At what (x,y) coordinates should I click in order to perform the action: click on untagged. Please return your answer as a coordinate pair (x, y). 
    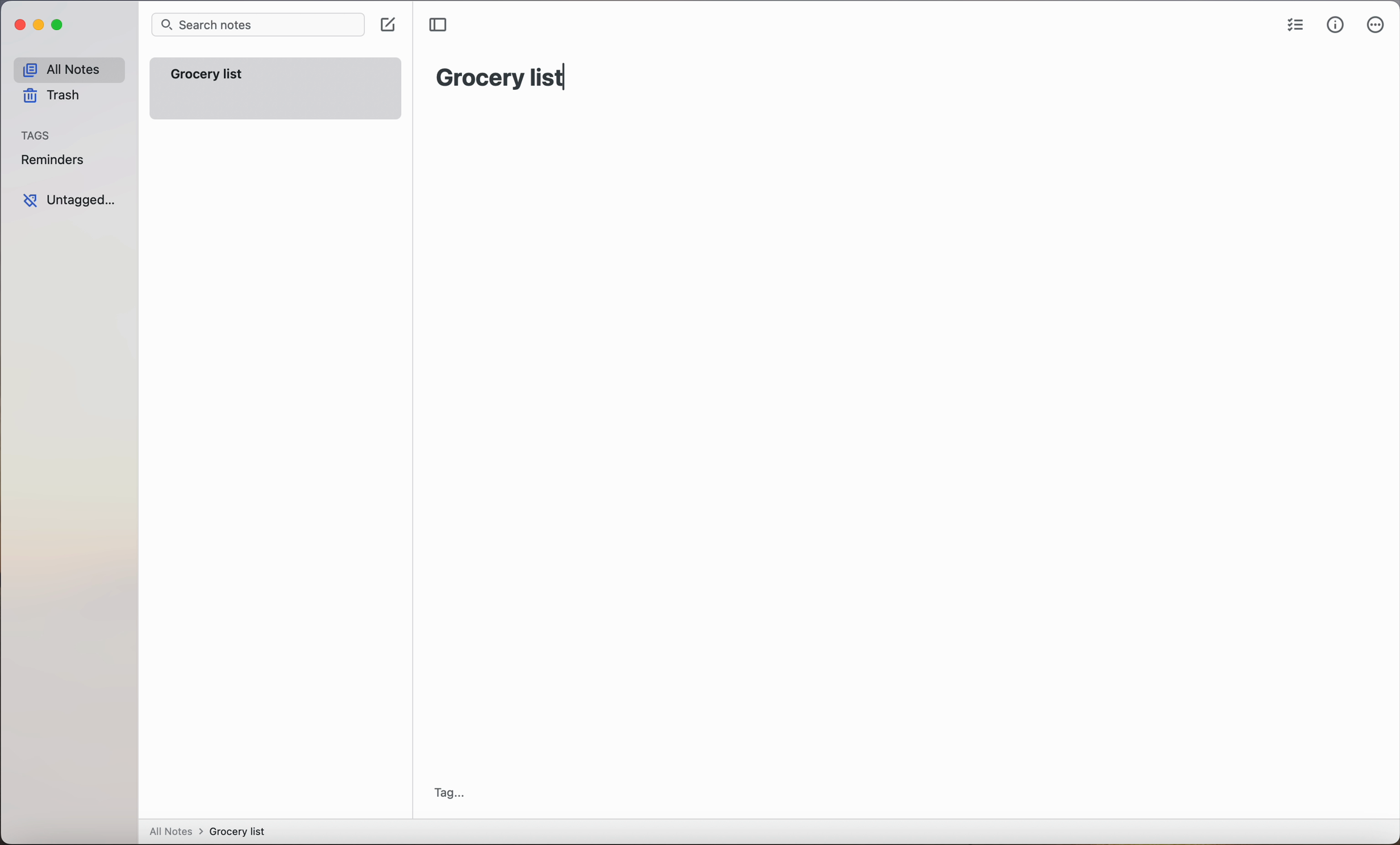
    Looking at the image, I should click on (69, 200).